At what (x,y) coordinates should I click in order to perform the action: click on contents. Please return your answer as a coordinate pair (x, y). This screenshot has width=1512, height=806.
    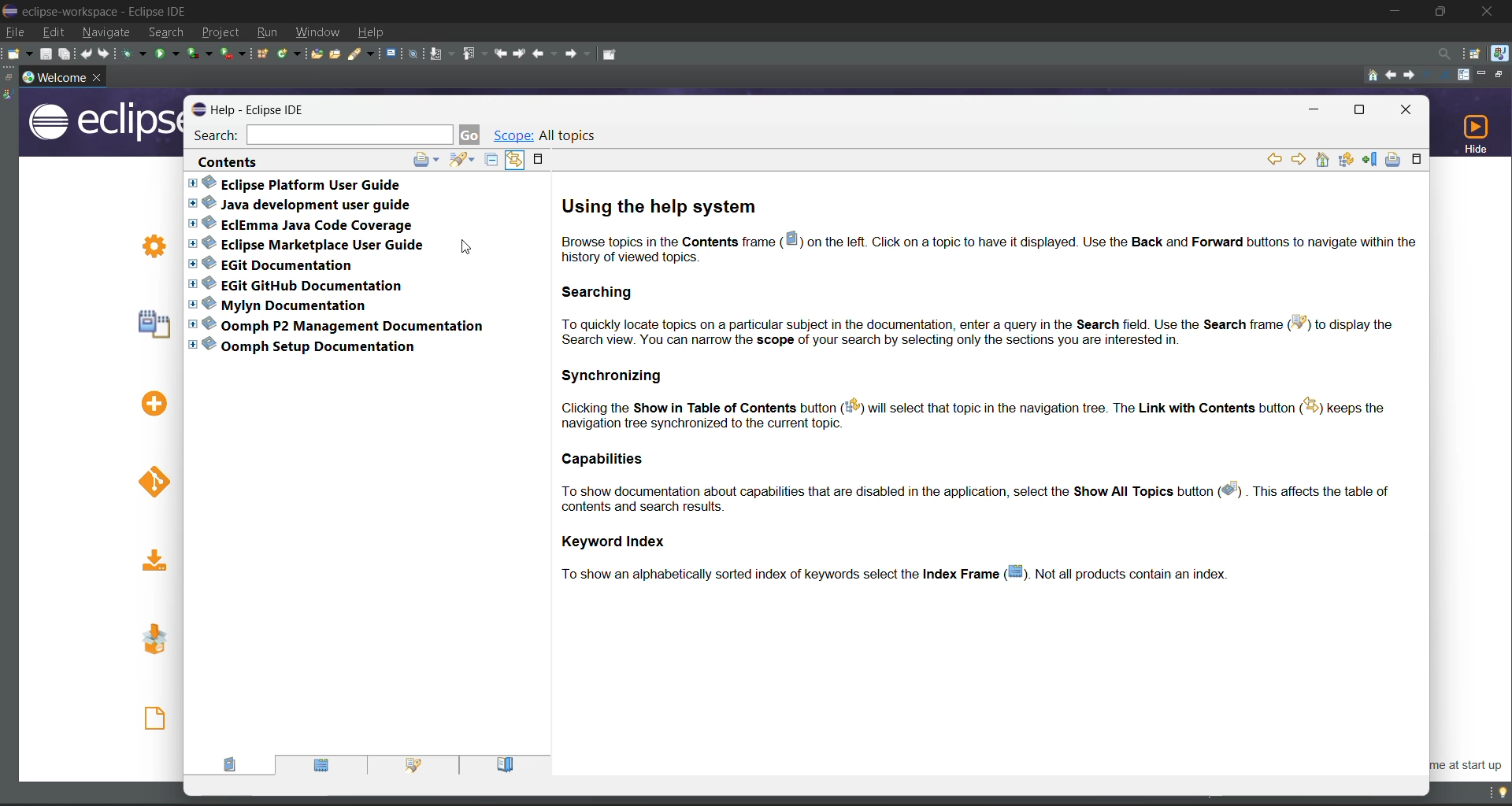
    Looking at the image, I should click on (229, 764).